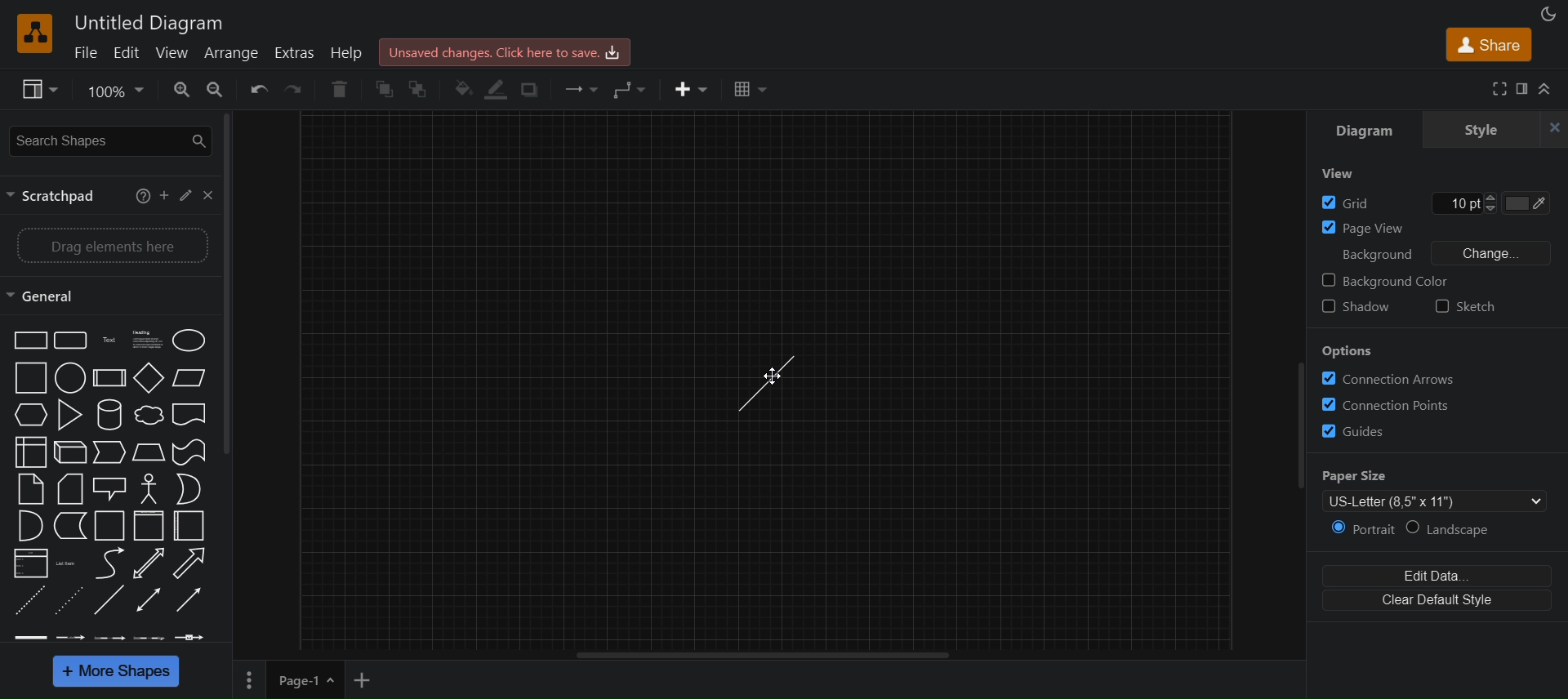 The image size is (1568, 699). What do you see at coordinates (109, 488) in the screenshot?
I see `Callout` at bounding box center [109, 488].